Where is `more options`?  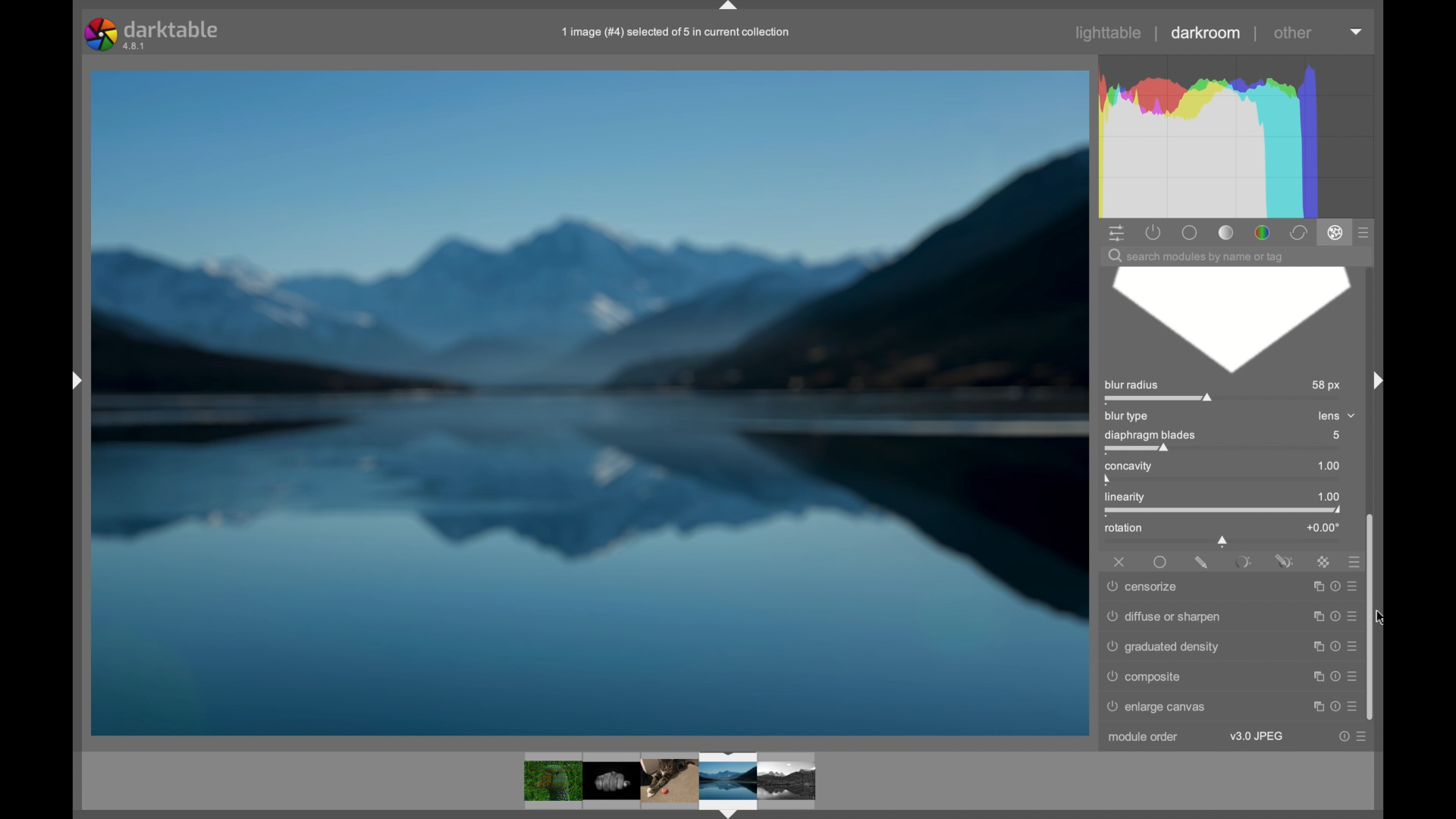
more options is located at coordinates (1354, 702).